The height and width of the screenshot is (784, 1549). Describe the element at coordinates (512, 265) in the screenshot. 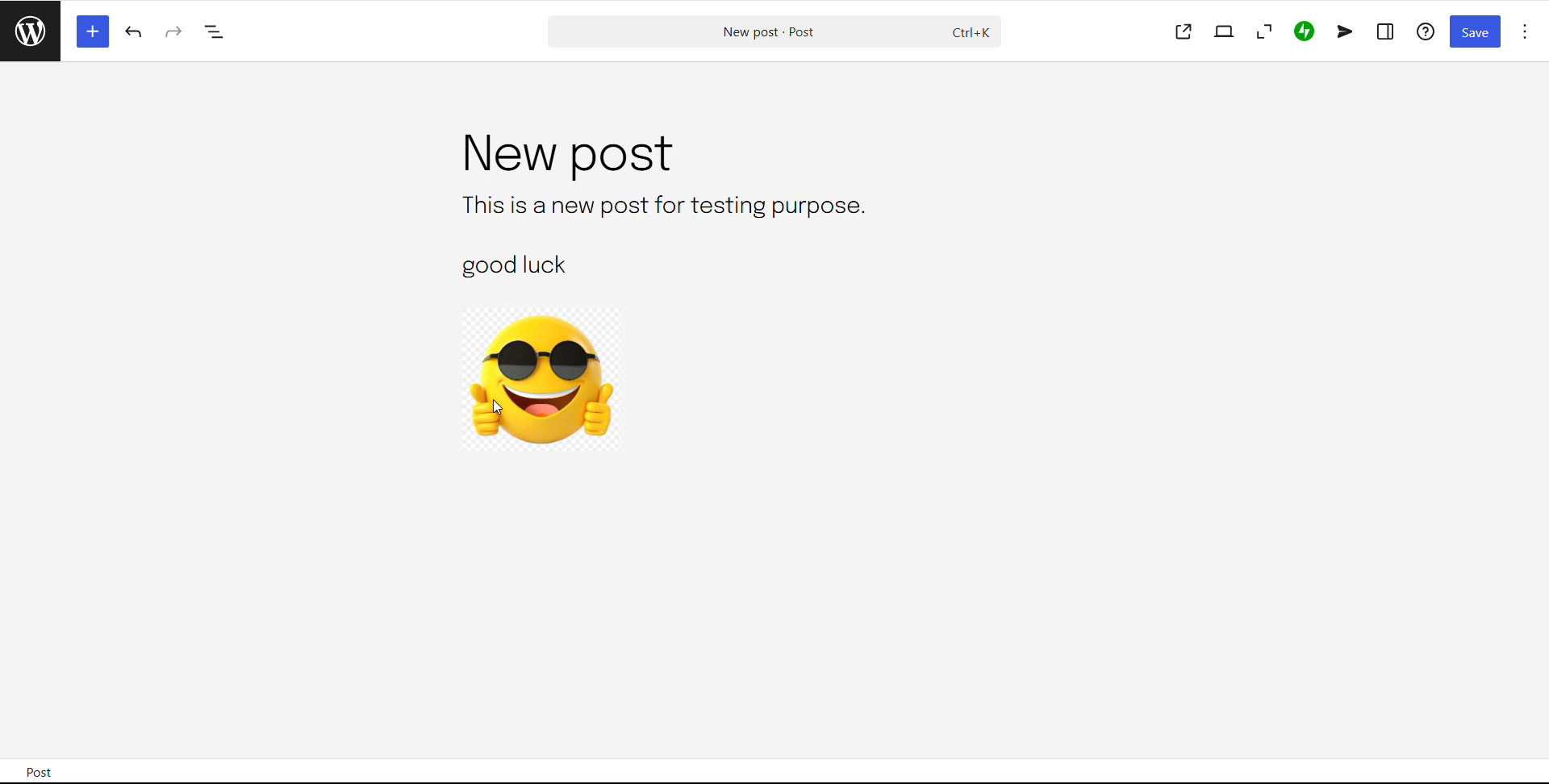

I see `text block 2` at that location.